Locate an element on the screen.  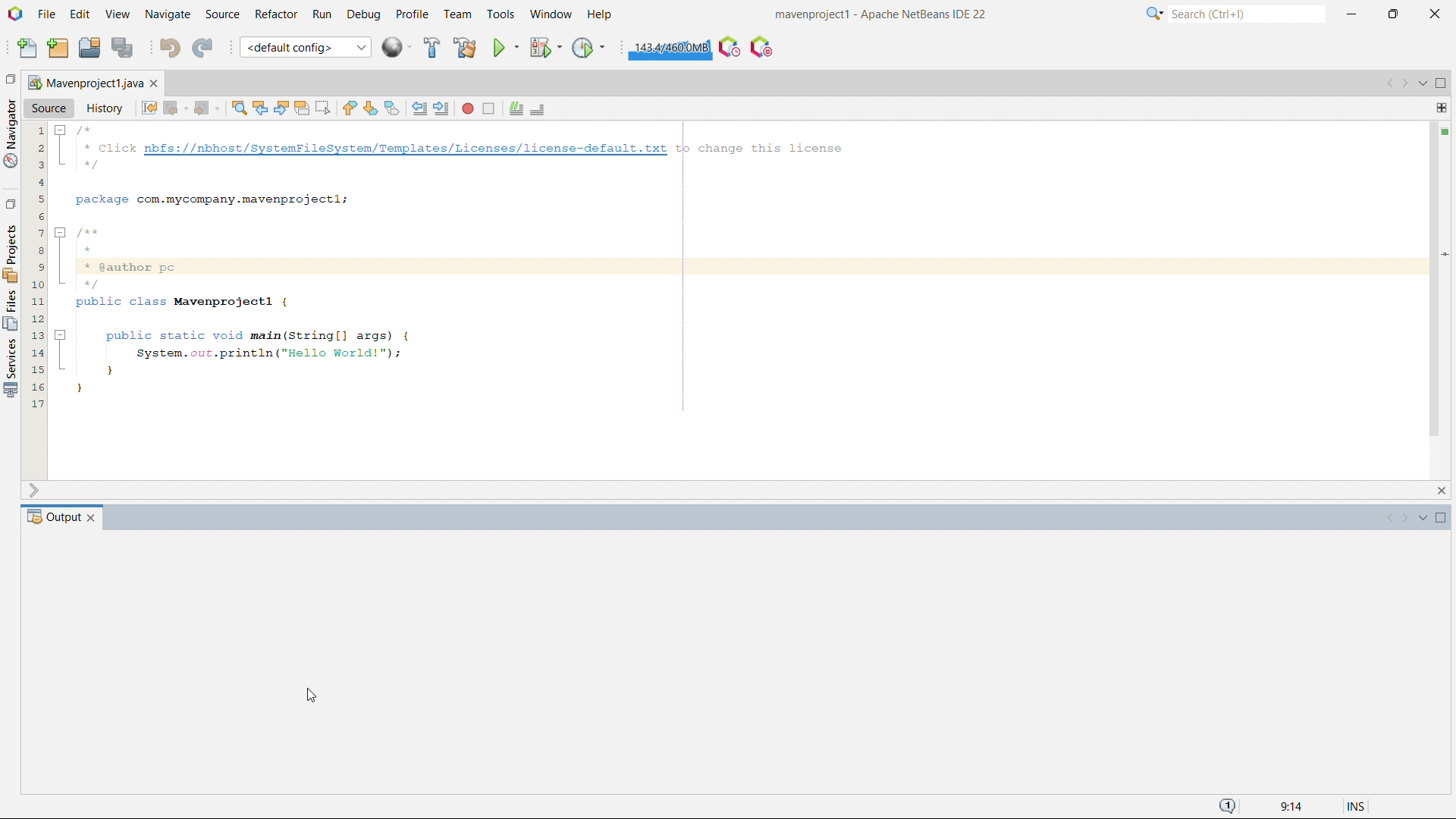
undo is located at coordinates (170, 47).